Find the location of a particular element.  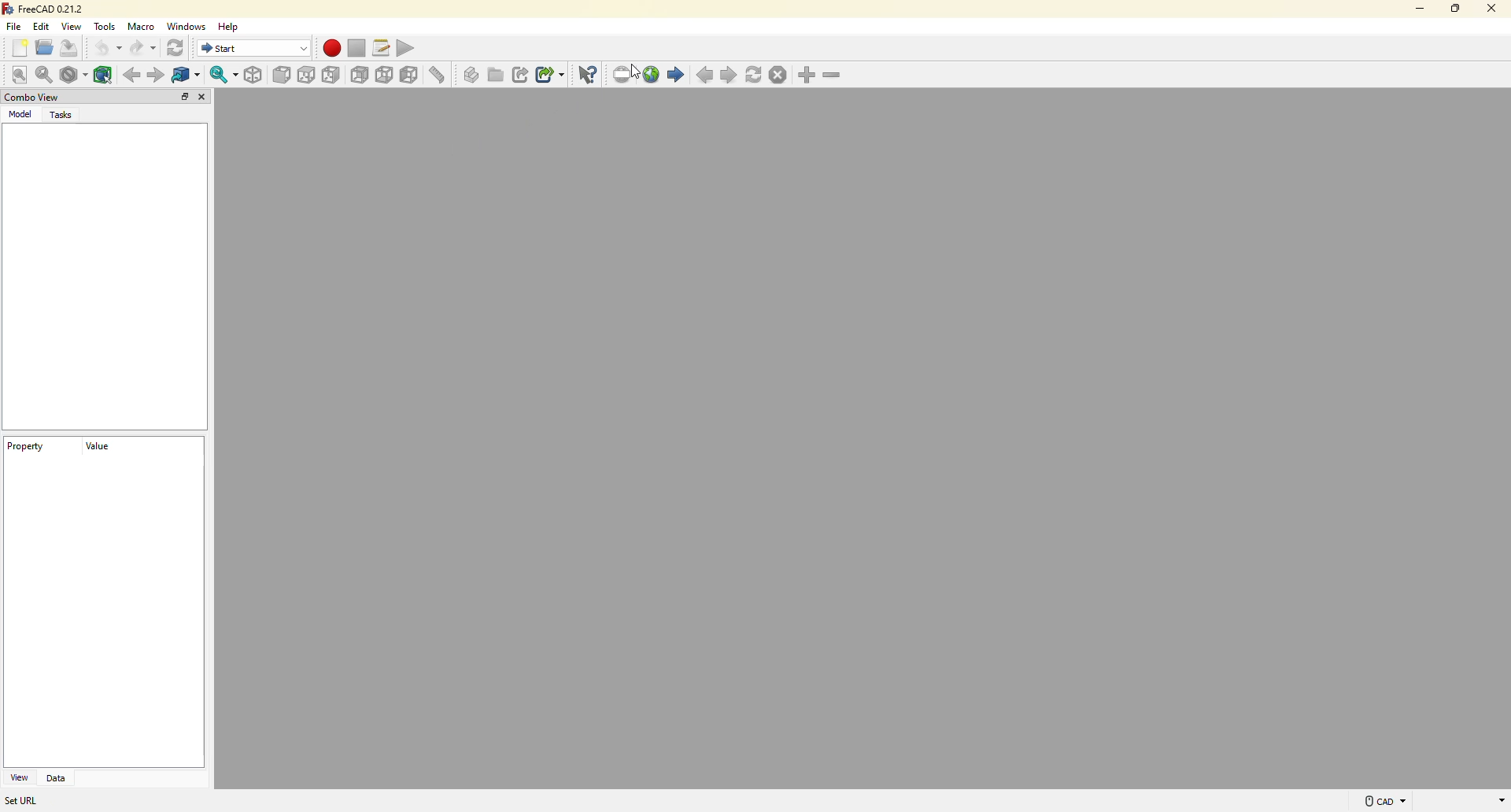

sync view is located at coordinates (222, 75).